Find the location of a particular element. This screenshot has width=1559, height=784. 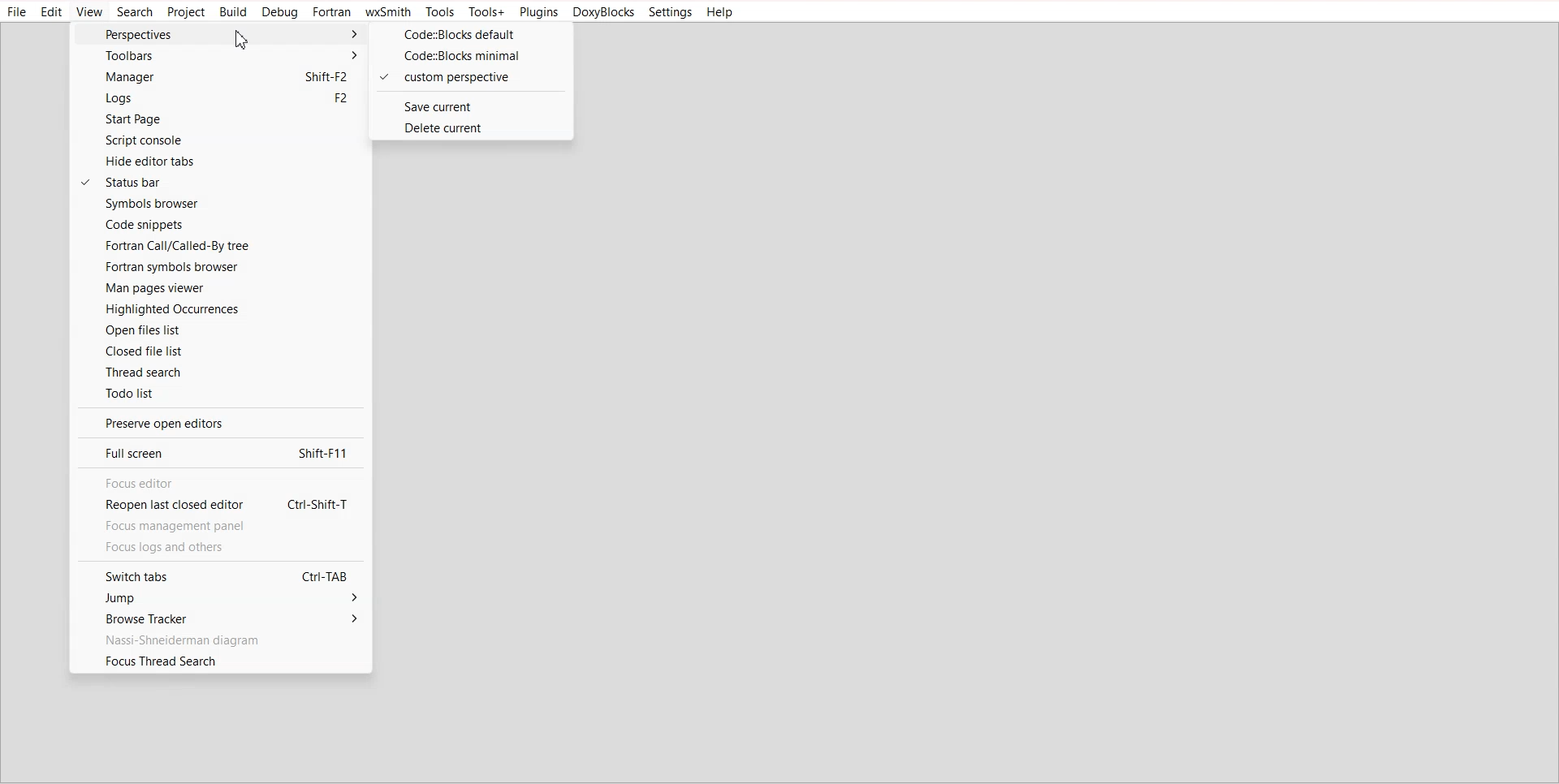

Start Page is located at coordinates (217, 120).